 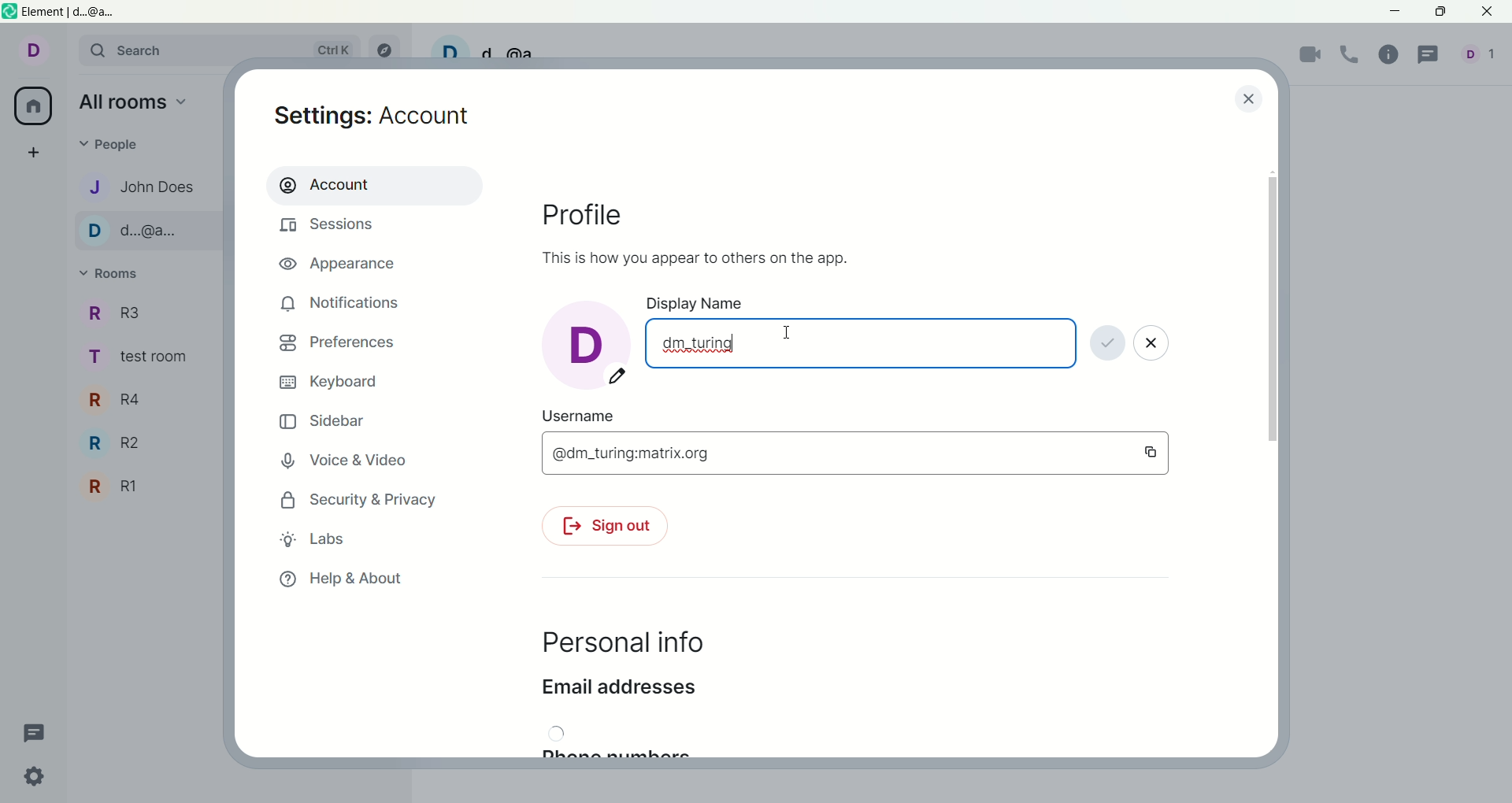 What do you see at coordinates (35, 730) in the screenshot?
I see `threads` at bounding box center [35, 730].